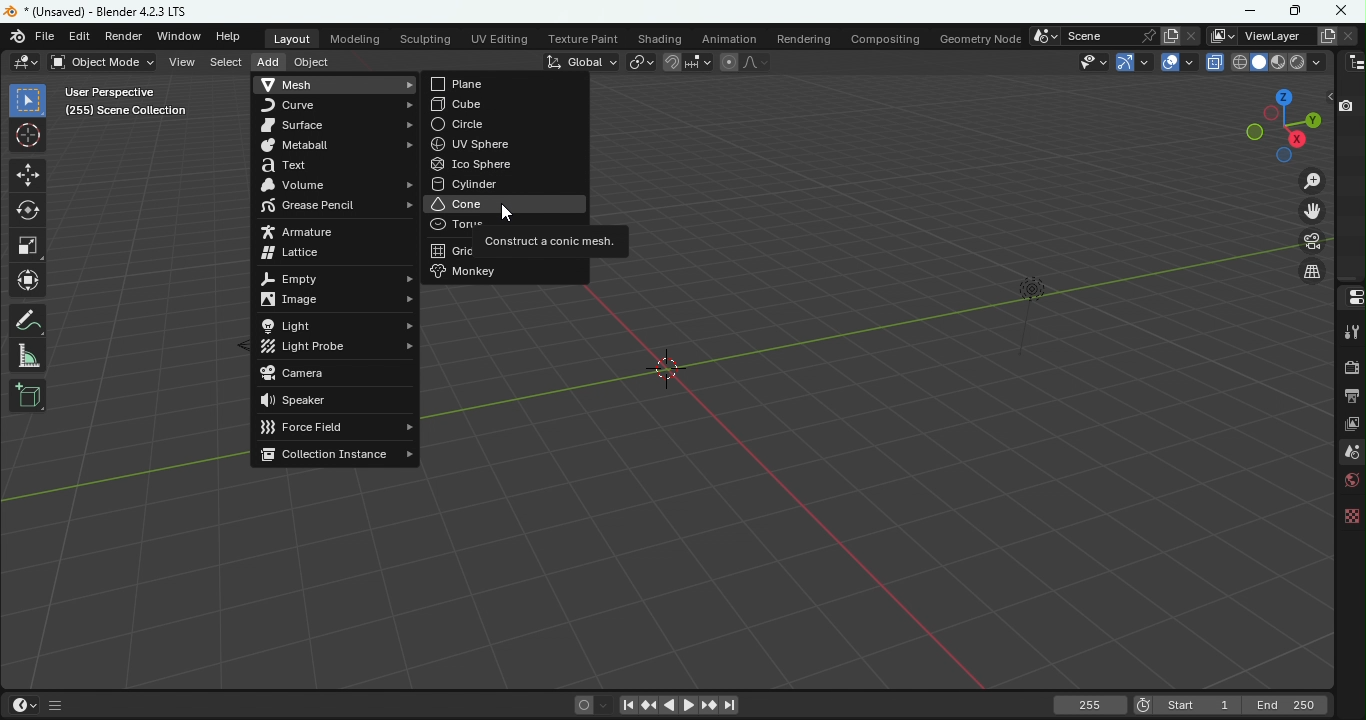 The width and height of the screenshot is (1366, 720). What do you see at coordinates (337, 184) in the screenshot?
I see `Volume` at bounding box center [337, 184].